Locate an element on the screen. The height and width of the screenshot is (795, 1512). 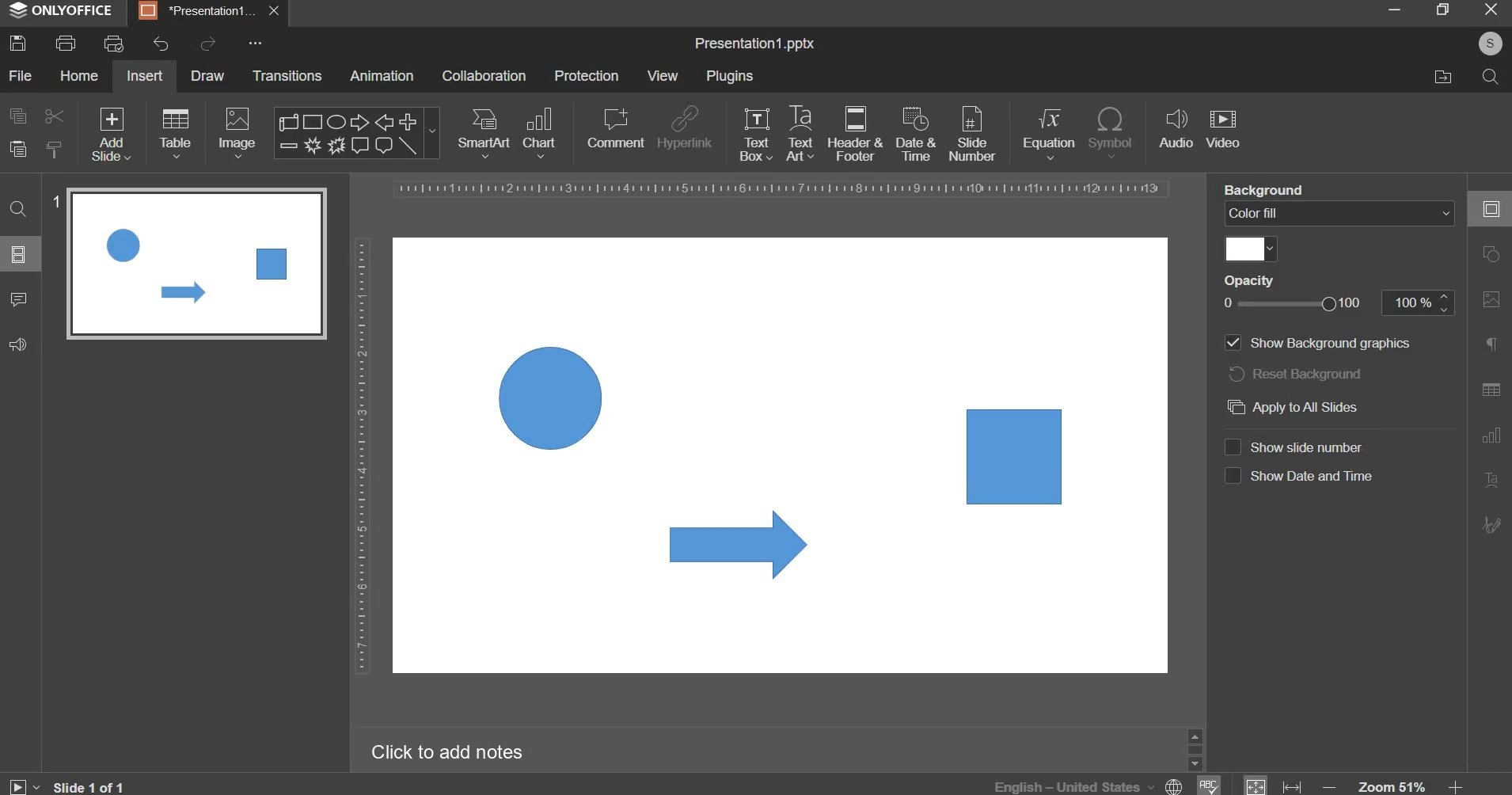
copy style is located at coordinates (55, 150).